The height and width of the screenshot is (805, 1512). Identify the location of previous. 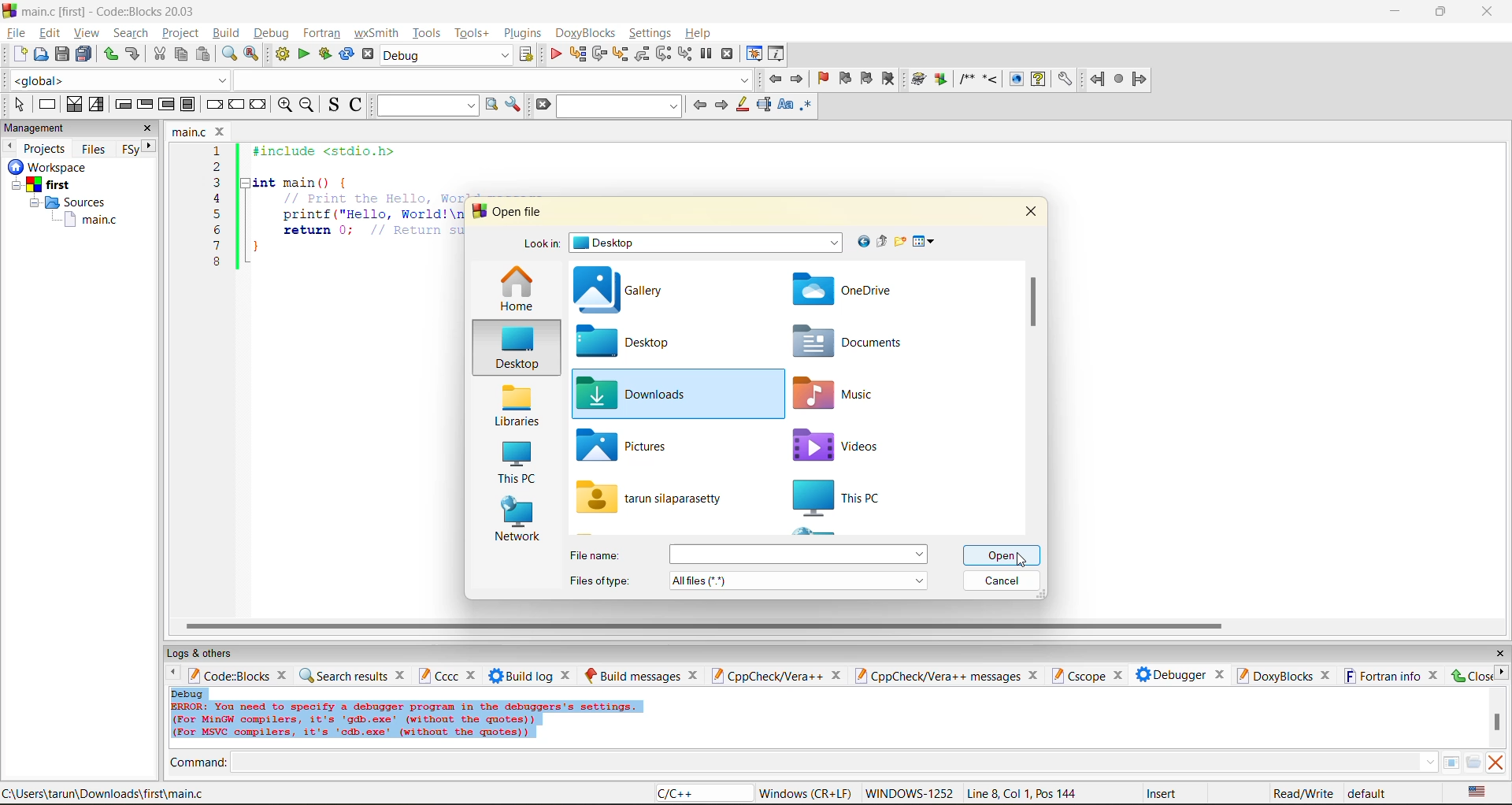
(9, 146).